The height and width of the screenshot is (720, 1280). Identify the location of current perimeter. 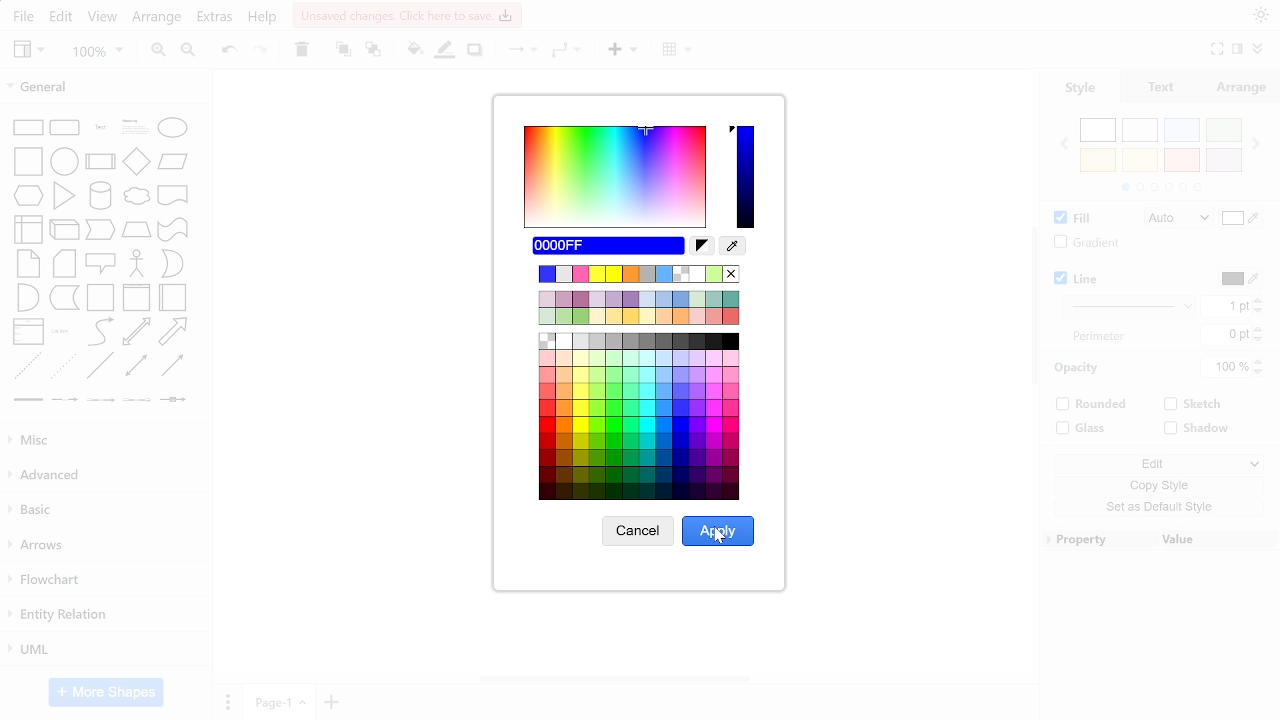
(1225, 335).